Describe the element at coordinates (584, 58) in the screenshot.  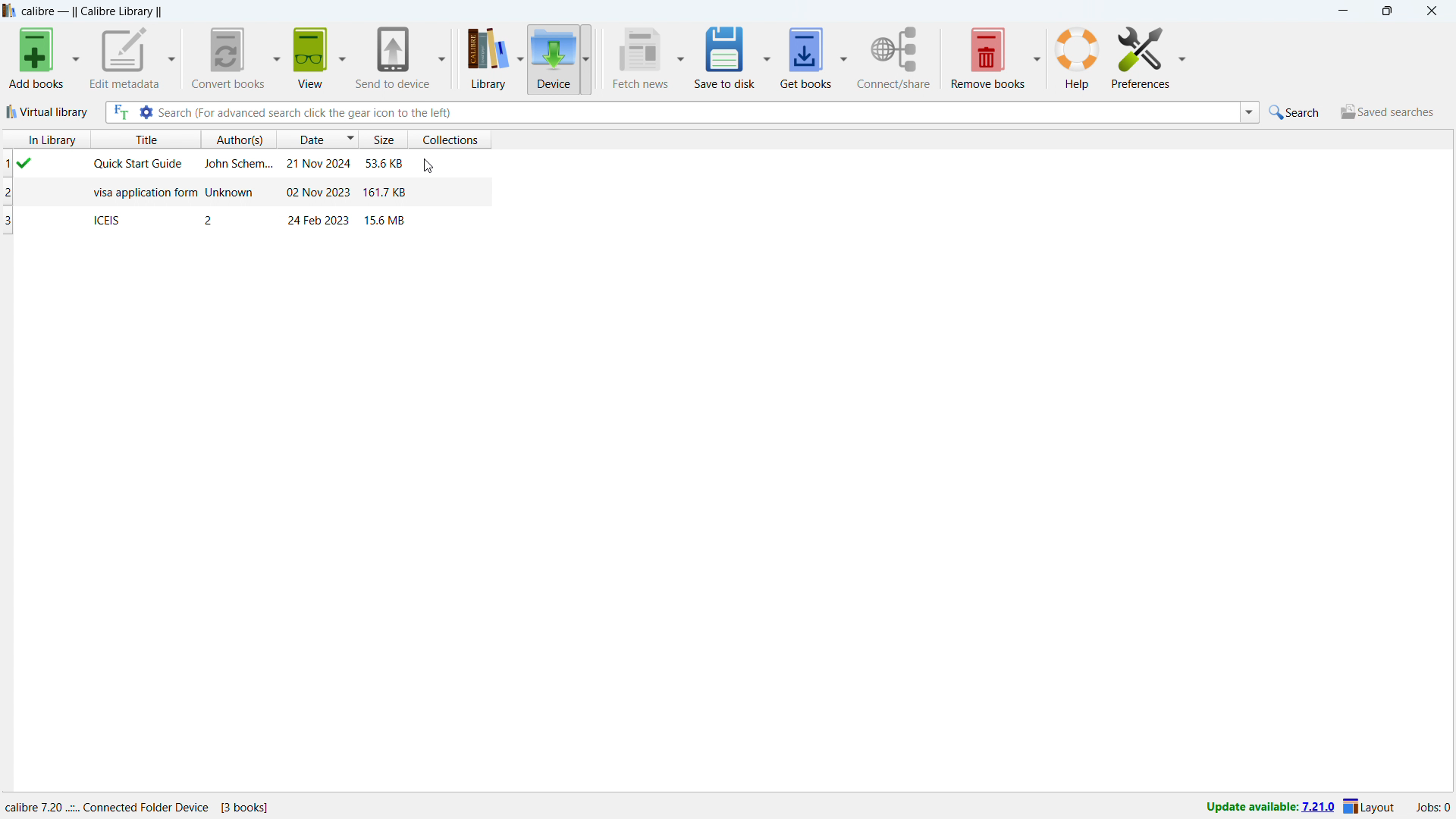
I see `device options` at that location.